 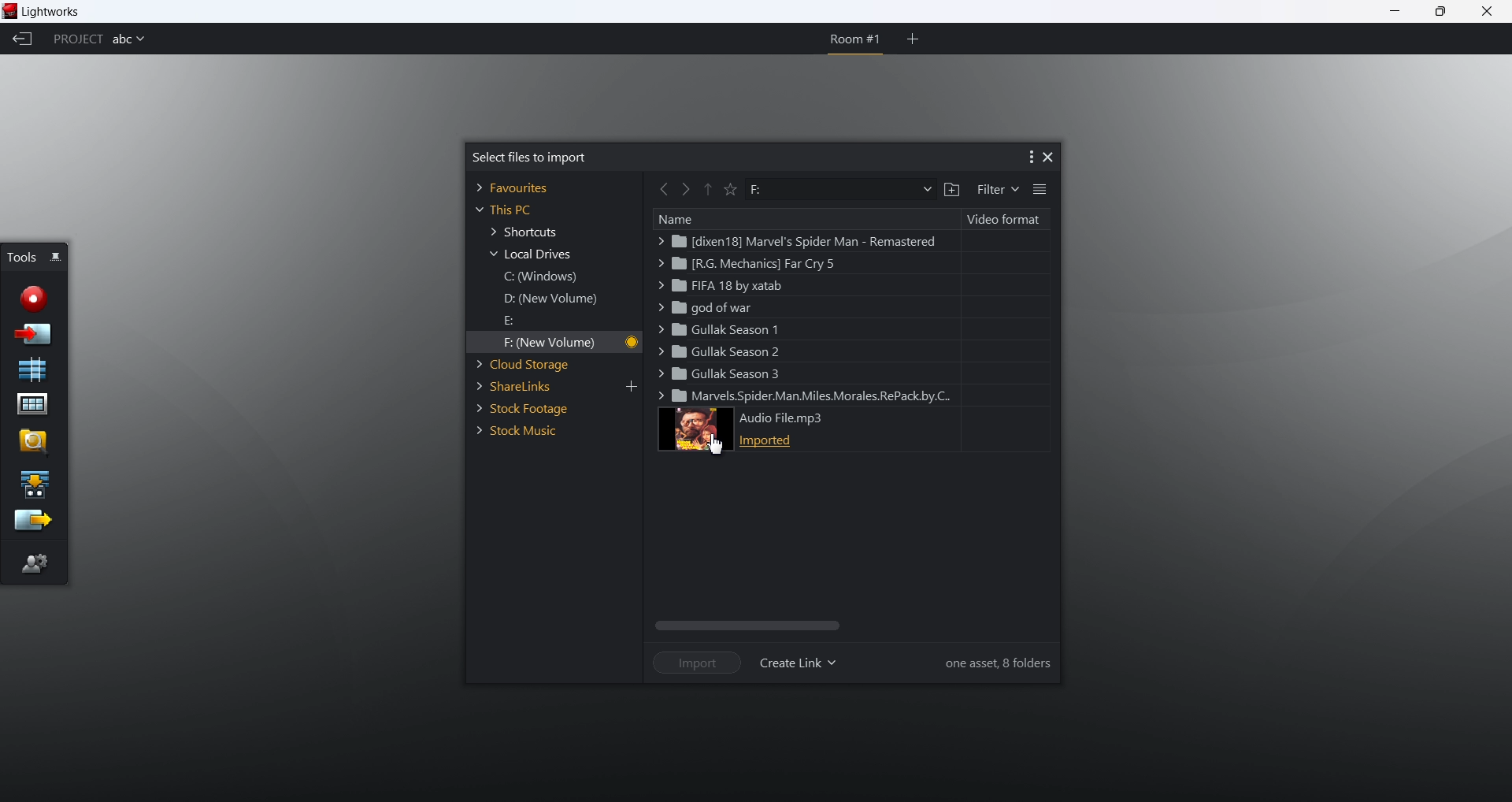 What do you see at coordinates (745, 625) in the screenshot?
I see `scroll bar` at bounding box center [745, 625].